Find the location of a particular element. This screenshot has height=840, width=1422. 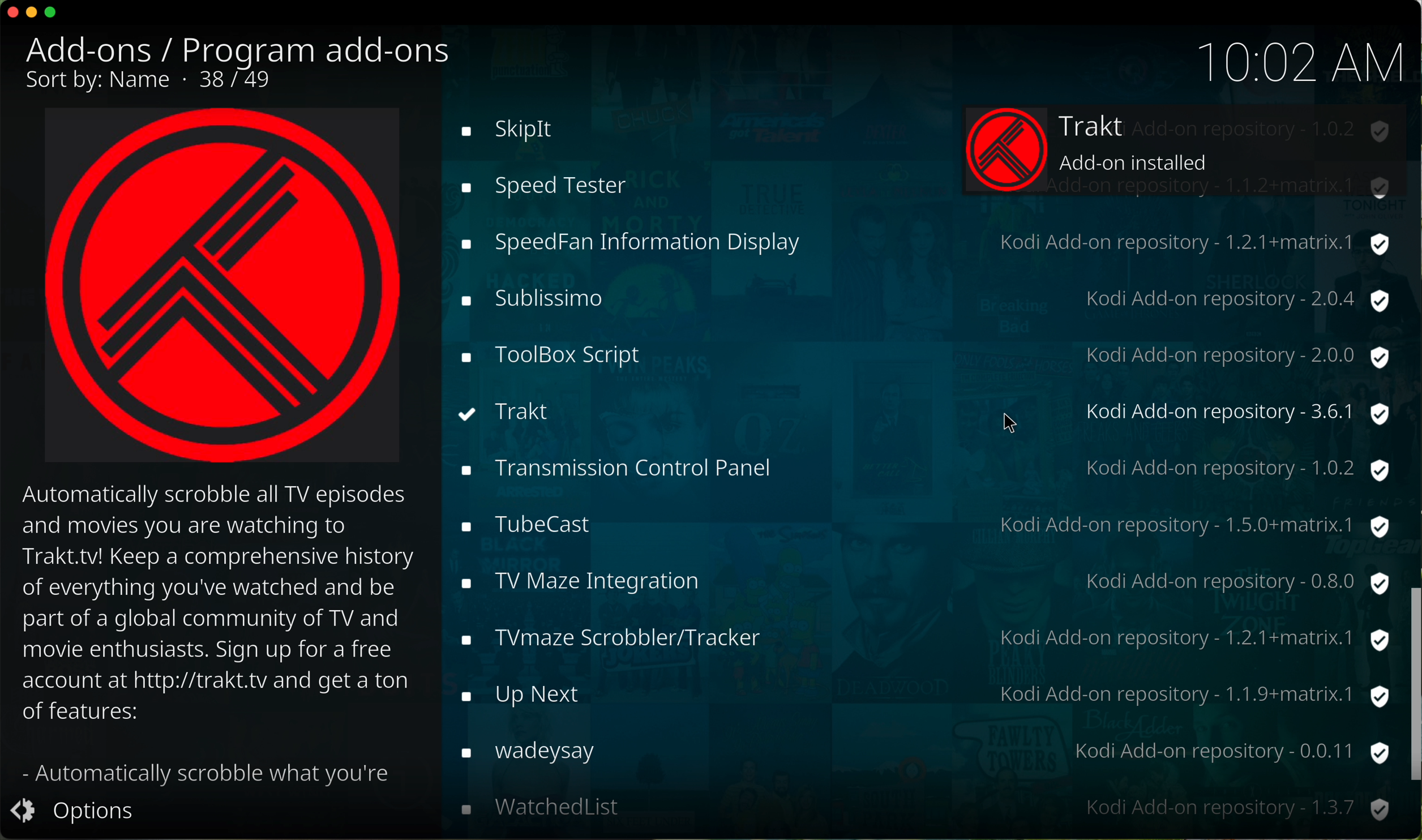

kodi add-on is located at coordinates (1227, 413).